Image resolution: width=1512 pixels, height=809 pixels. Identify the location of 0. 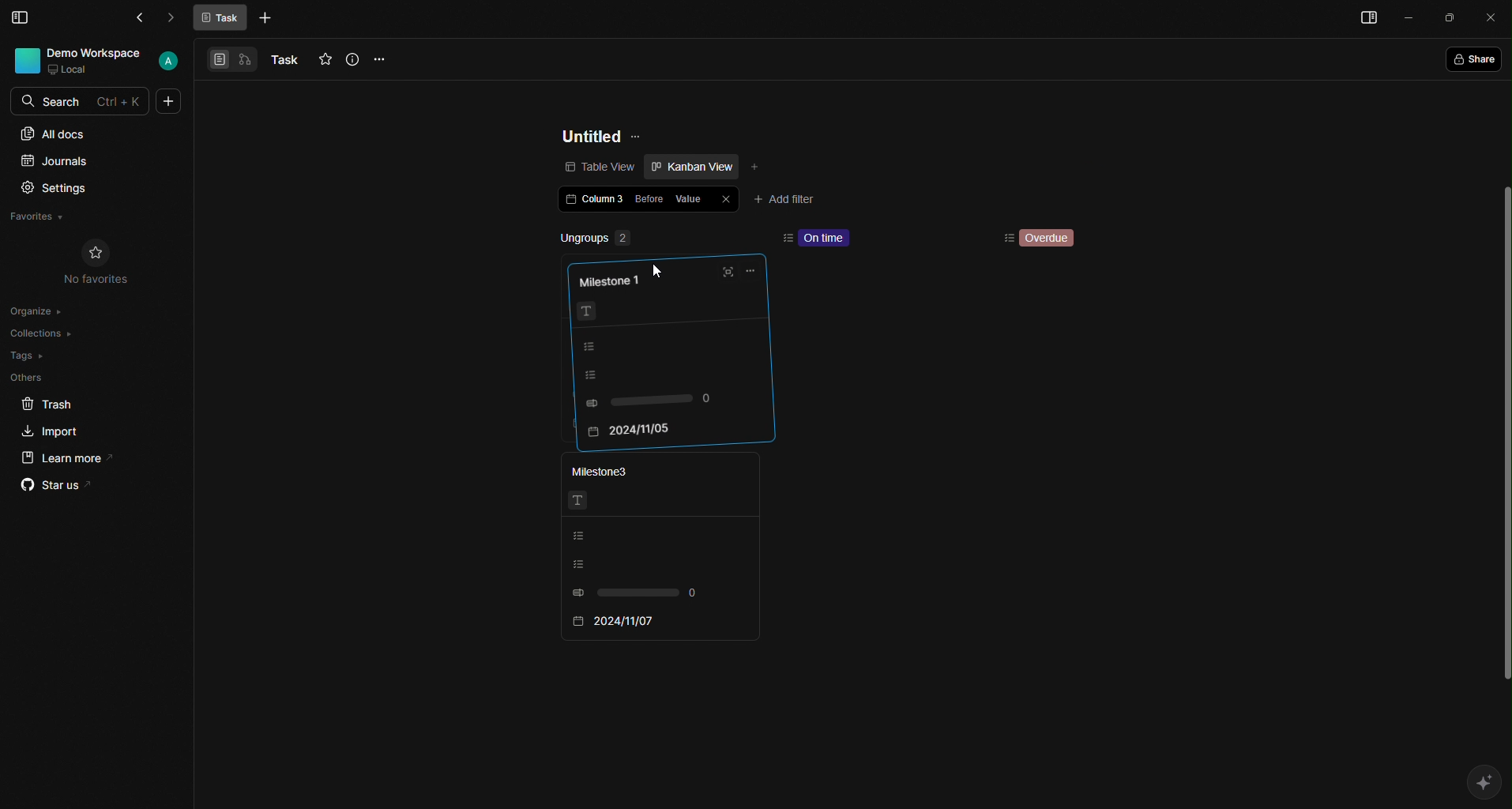
(633, 397).